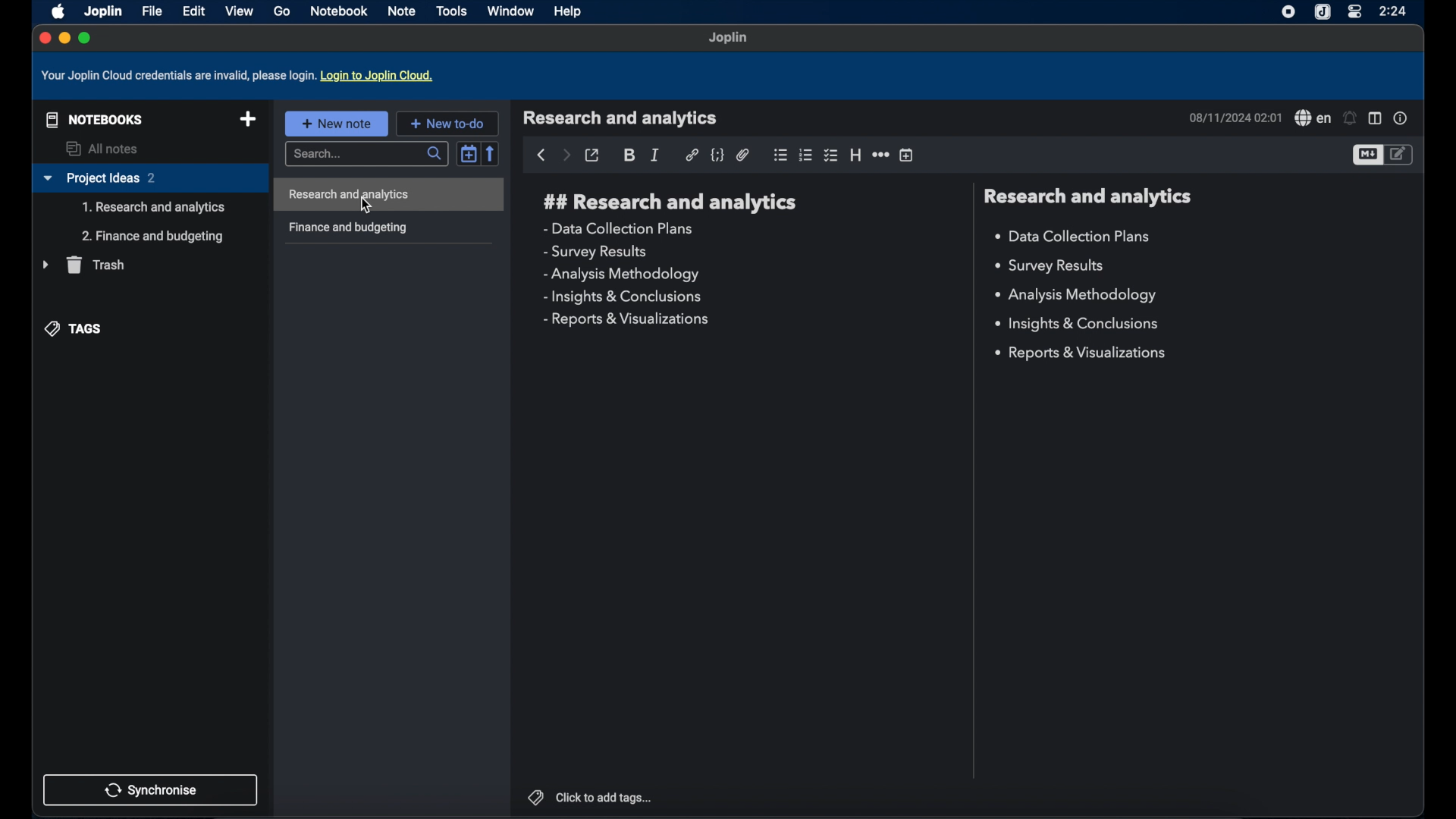 The height and width of the screenshot is (819, 1456). Describe the element at coordinates (620, 228) in the screenshot. I see `data collection plans` at that location.